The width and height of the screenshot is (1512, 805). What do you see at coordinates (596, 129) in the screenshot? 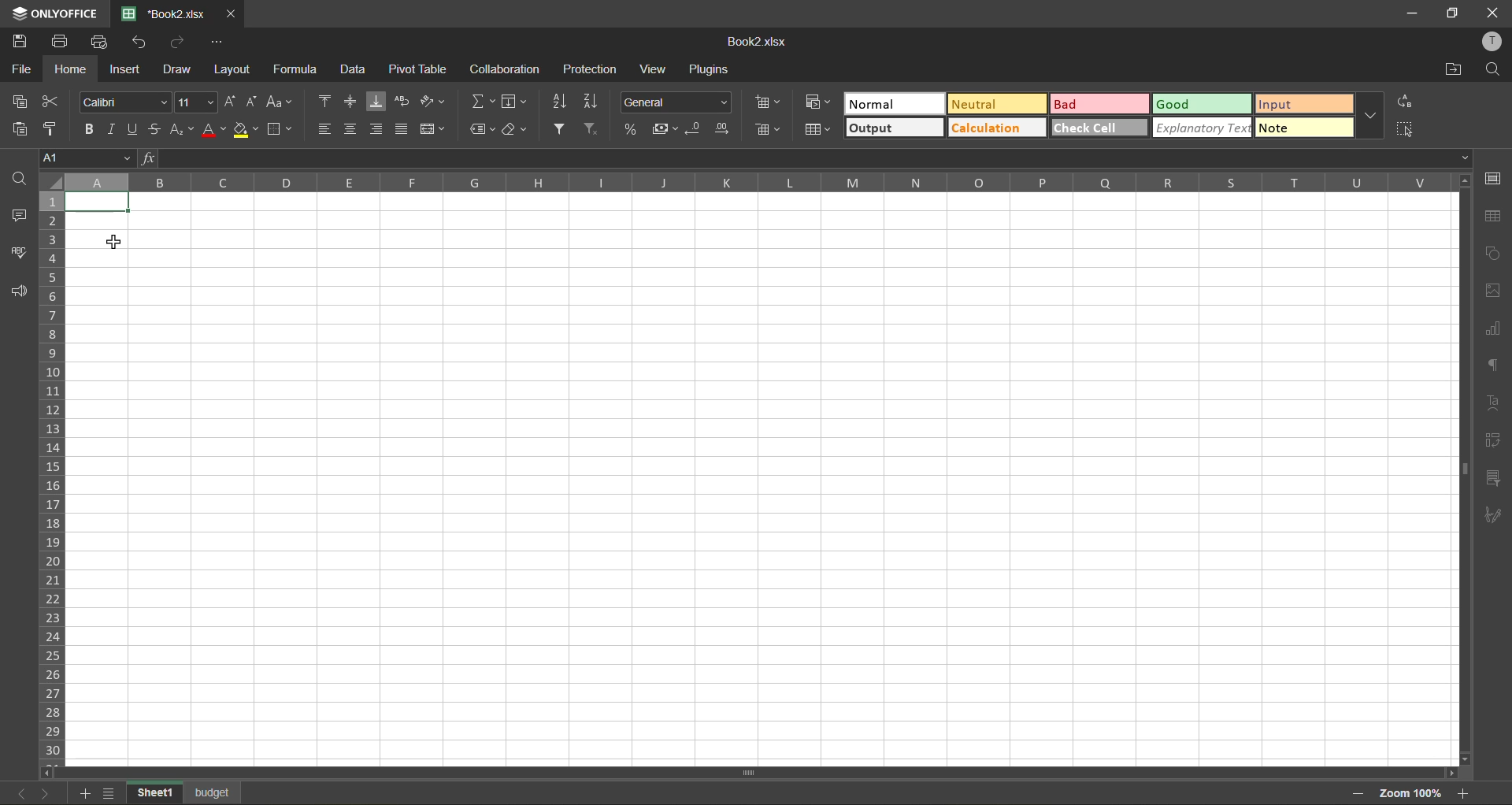
I see `clear  filter` at bounding box center [596, 129].